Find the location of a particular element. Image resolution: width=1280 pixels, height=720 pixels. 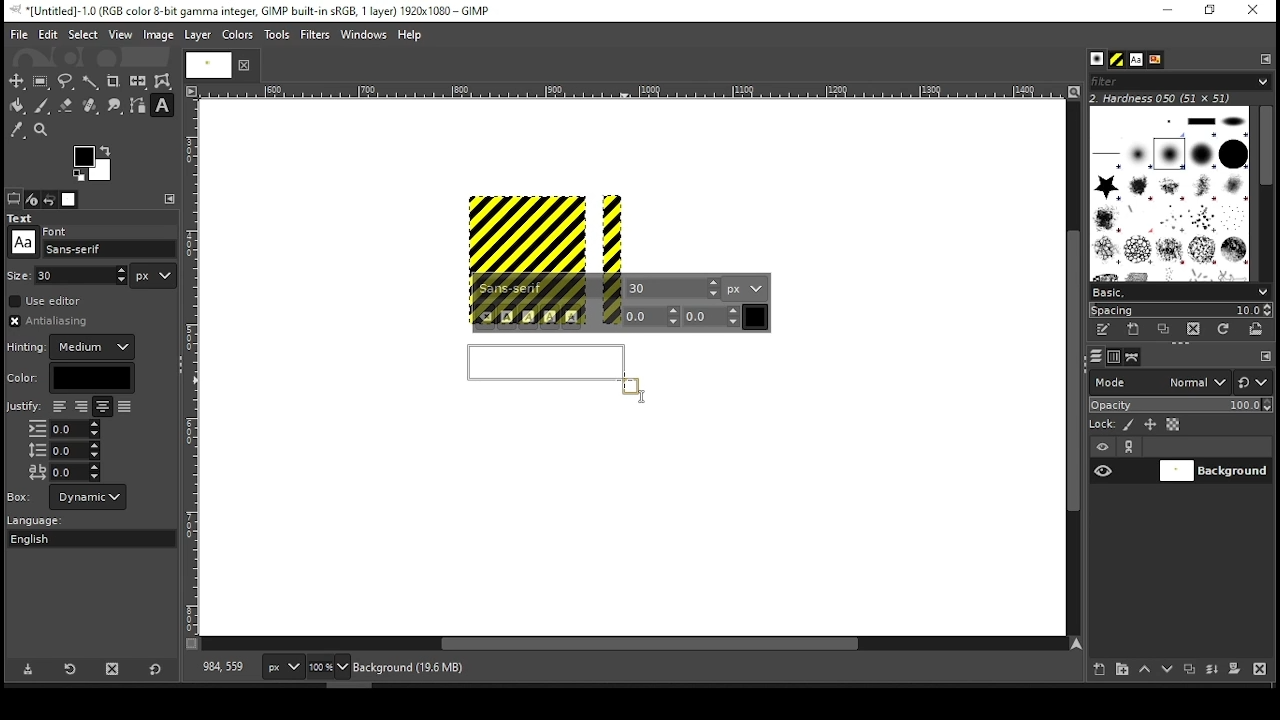

tools is located at coordinates (279, 36).